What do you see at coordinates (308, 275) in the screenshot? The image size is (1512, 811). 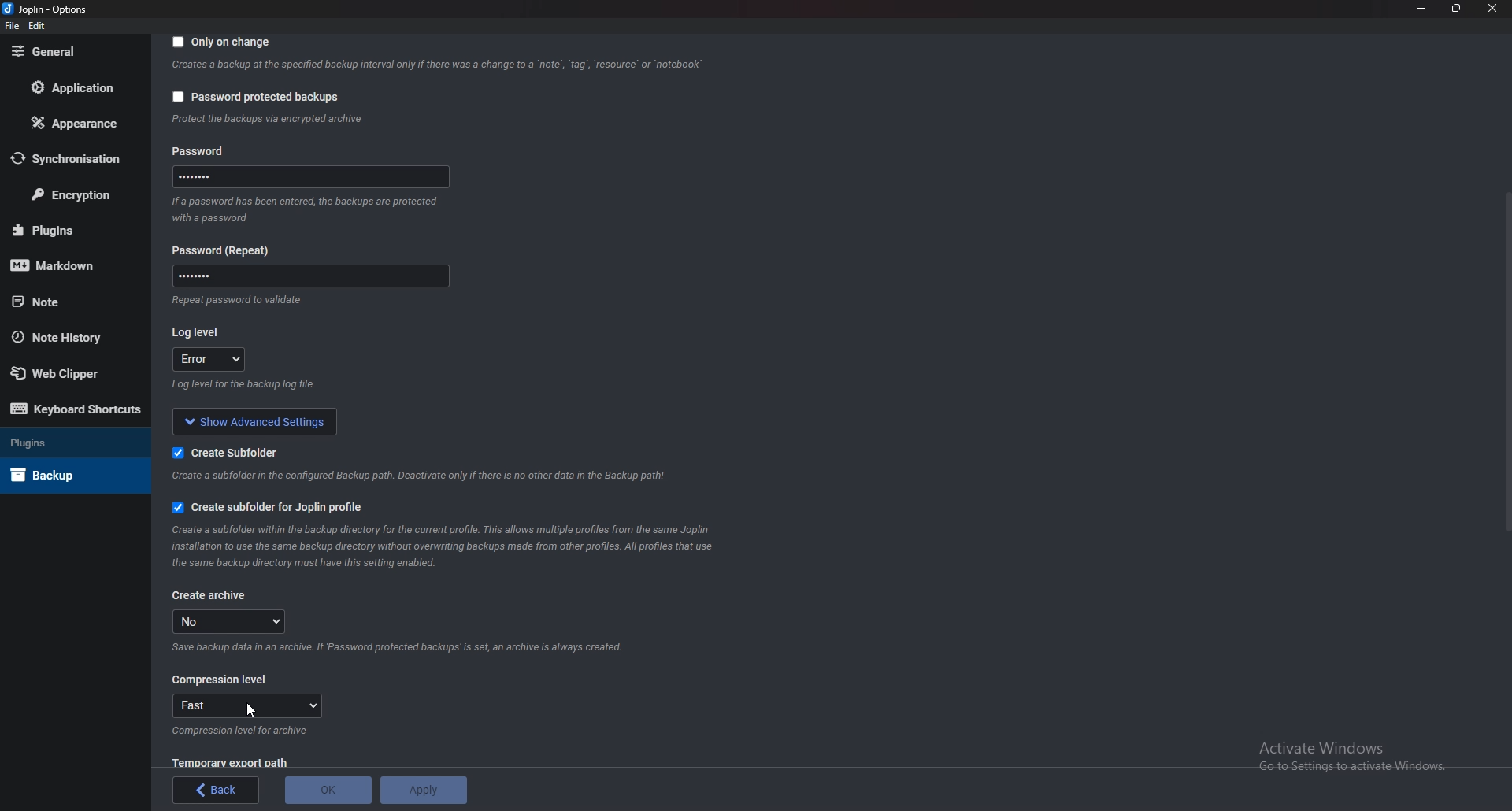 I see `Password` at bounding box center [308, 275].